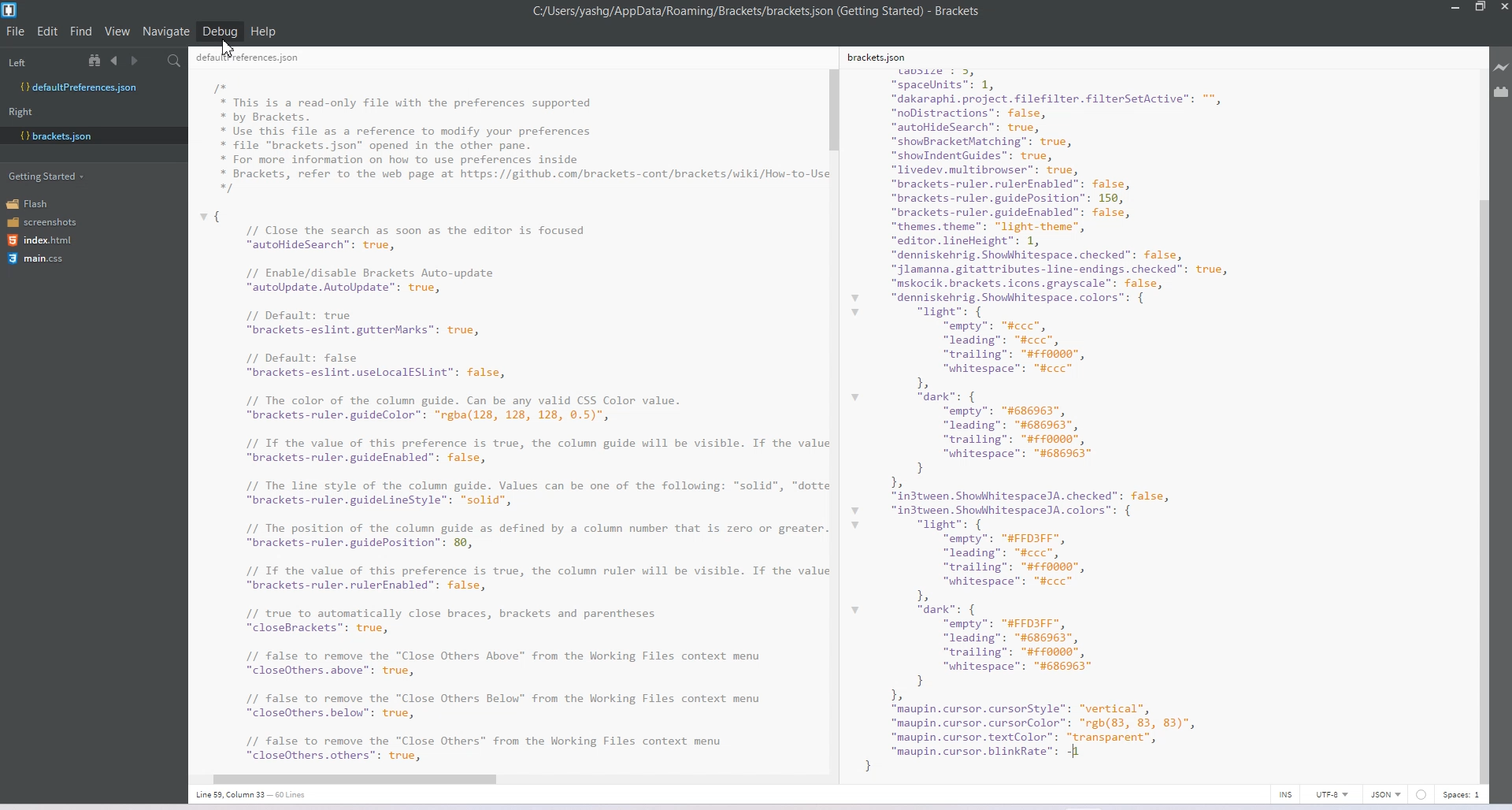  What do you see at coordinates (1076, 411) in the screenshot?
I see `kets. son
size : 3,
“spacelnits": 1,
“dakaraphi.project. filefilter. filterSetActive”: "*,
“noDistractions”: false,
“autohideSearch”: true,
“showBracketMatching”: true,
“showIndentGuides”: true,
“livedev.multibrowser”: true,
“brackets-ruler.rulerEnabled": false,
“brackets-ruler.guidePosition”: 150,
“brackets-ruler.guideEnabled": false,
“themes theme": "light-theme",
“editor. lineHeight": 1,
“denniskehrig. Showhhitespace. checked": false,
“jlamanna.gitattributes-line-endings. checked": true,
“mskocik.brackets.icons.grayscale": false,
“denniskehrig. Showhitespace. colors”: {
“light”: {
“empty”: "#ccc”,
“leading”: "#ccc”,
“trailing”: "#0000",
“whitespace”: "#ccc”
b
“dark”: {
“empty”: "#686963",
["leading”: "#686963",
“trailing”: "#0000",
“whitespace”: "#686963"
}
Ia
“in3tween. ShowhhitespaceJA. checked": false,
“in3tween. ShowhhitespaceJA. colors”: {
“light”: {
“empty”: "#FFDIFF",
“leading”: "#ccc”,
“trailing”: "#0000",
“whitespace”: "#ccc”
bh
“dark”: {
“empty”: "#FFDIFF",
“leading”: "#686963",
“trailing”: "#0000",
“whitespace”: "#686963"
}
b
“maupin. cursor. cursorStyle”: “vertical”,
“maupin. cursor. cursorColor™: "rgh(83, 83, 83)",
“maupin.cursor.textColor”: “transparent”,
“maupin. cursor. blinkRate": 1000 |
:` at bounding box center [1076, 411].